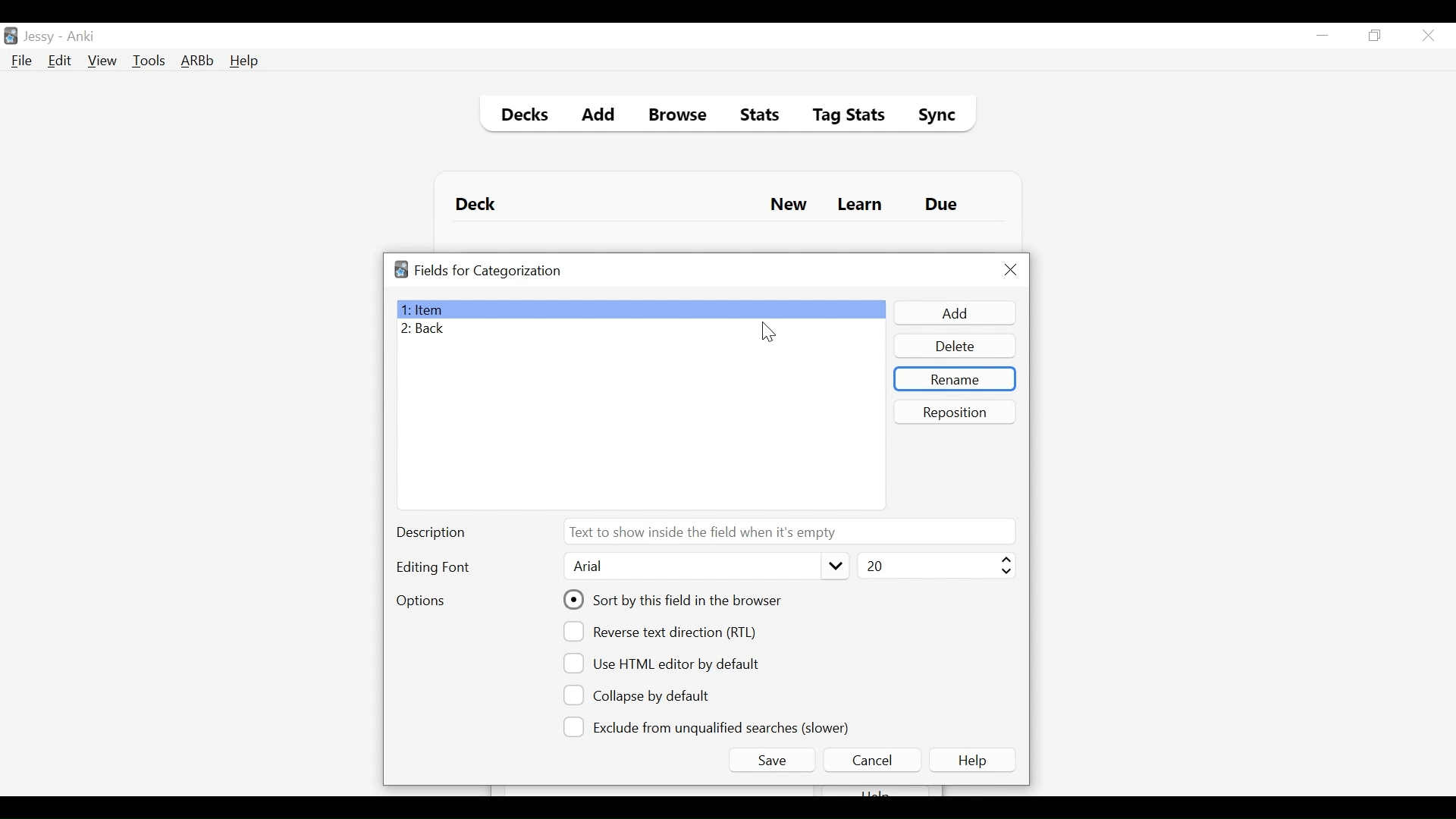 The height and width of the screenshot is (819, 1456). I want to click on minimize, so click(1322, 36).